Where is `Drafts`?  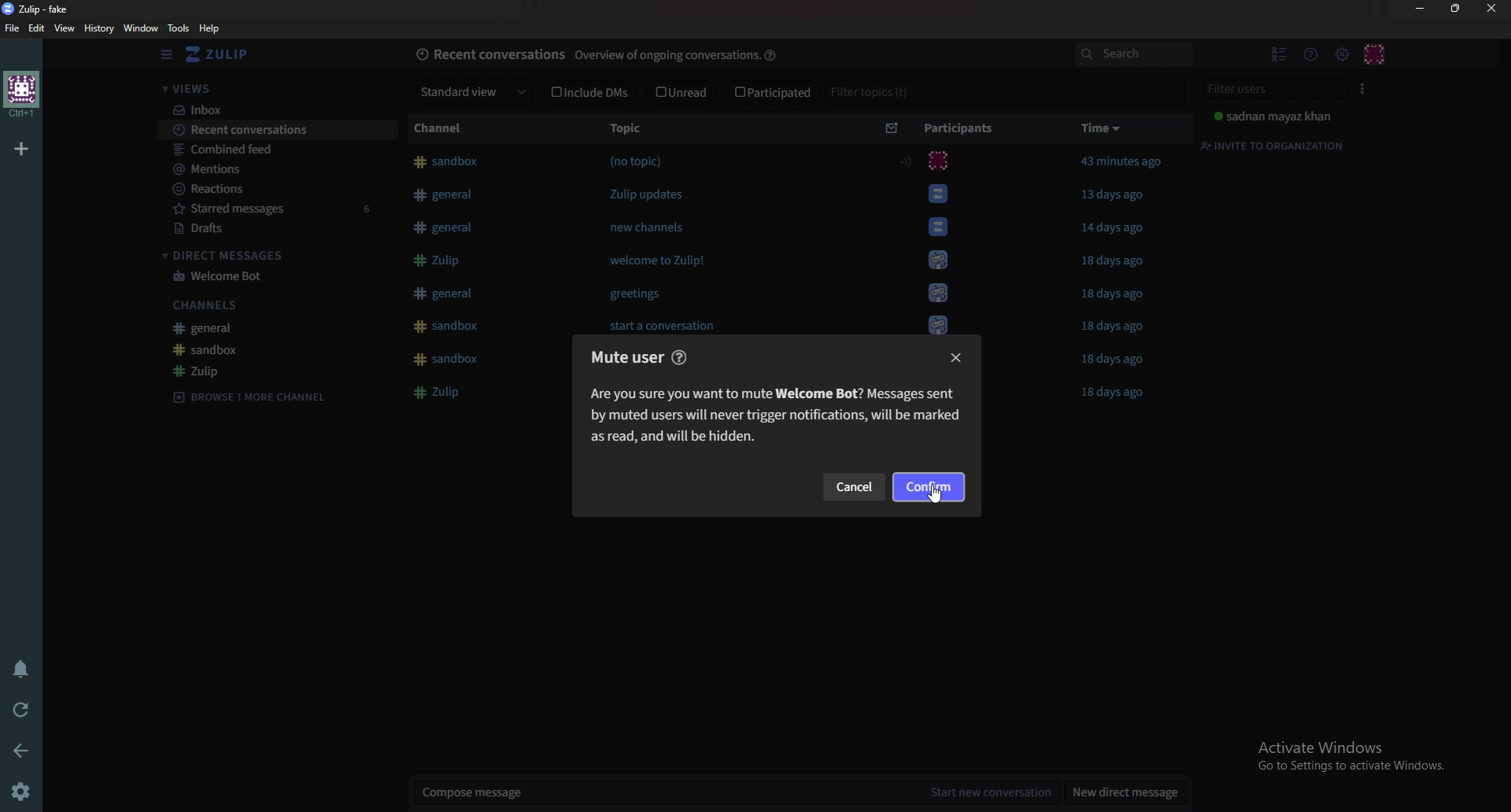 Drafts is located at coordinates (277, 228).